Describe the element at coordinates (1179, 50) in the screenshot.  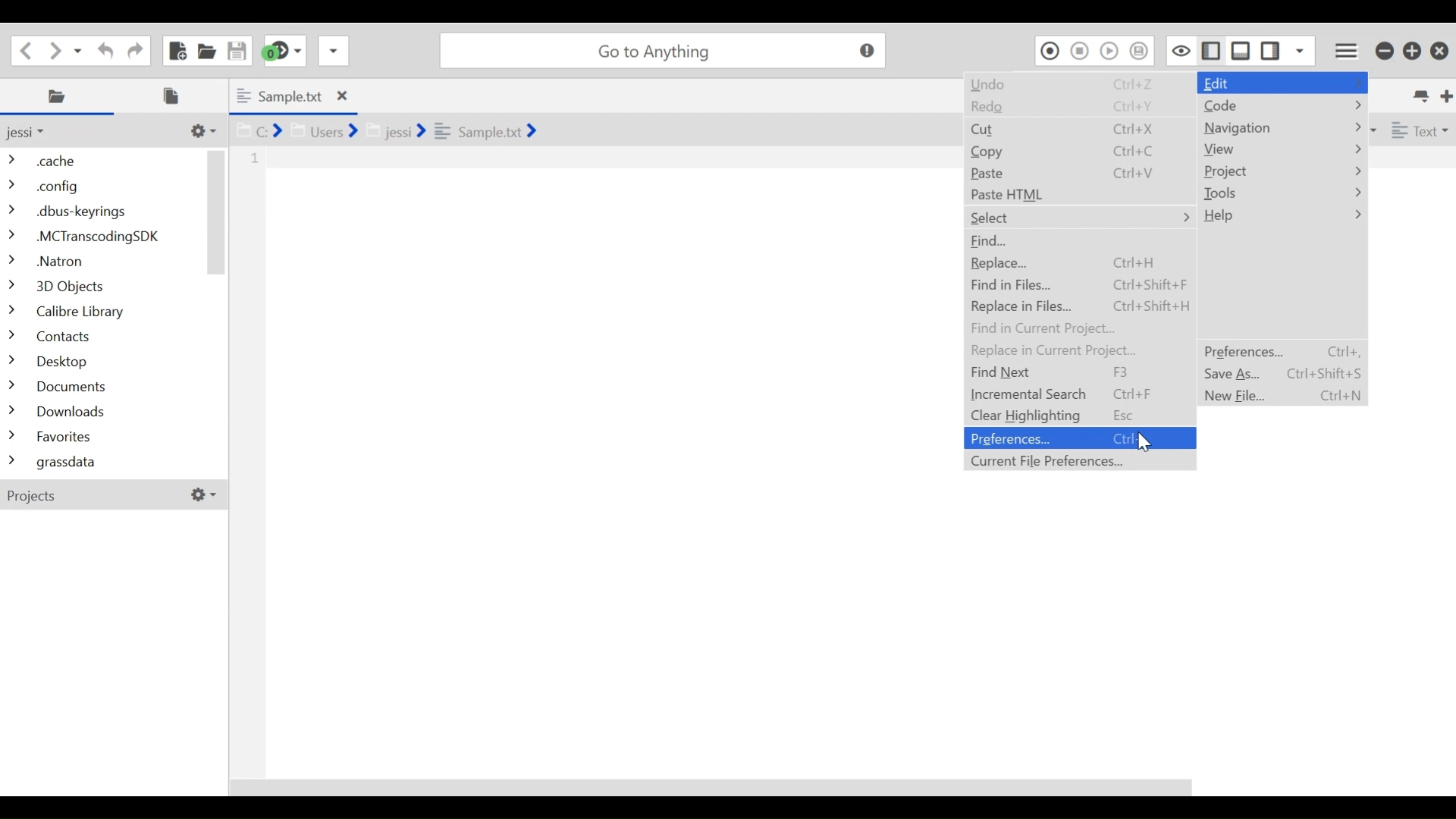
I see `Toggle focus mode` at that location.